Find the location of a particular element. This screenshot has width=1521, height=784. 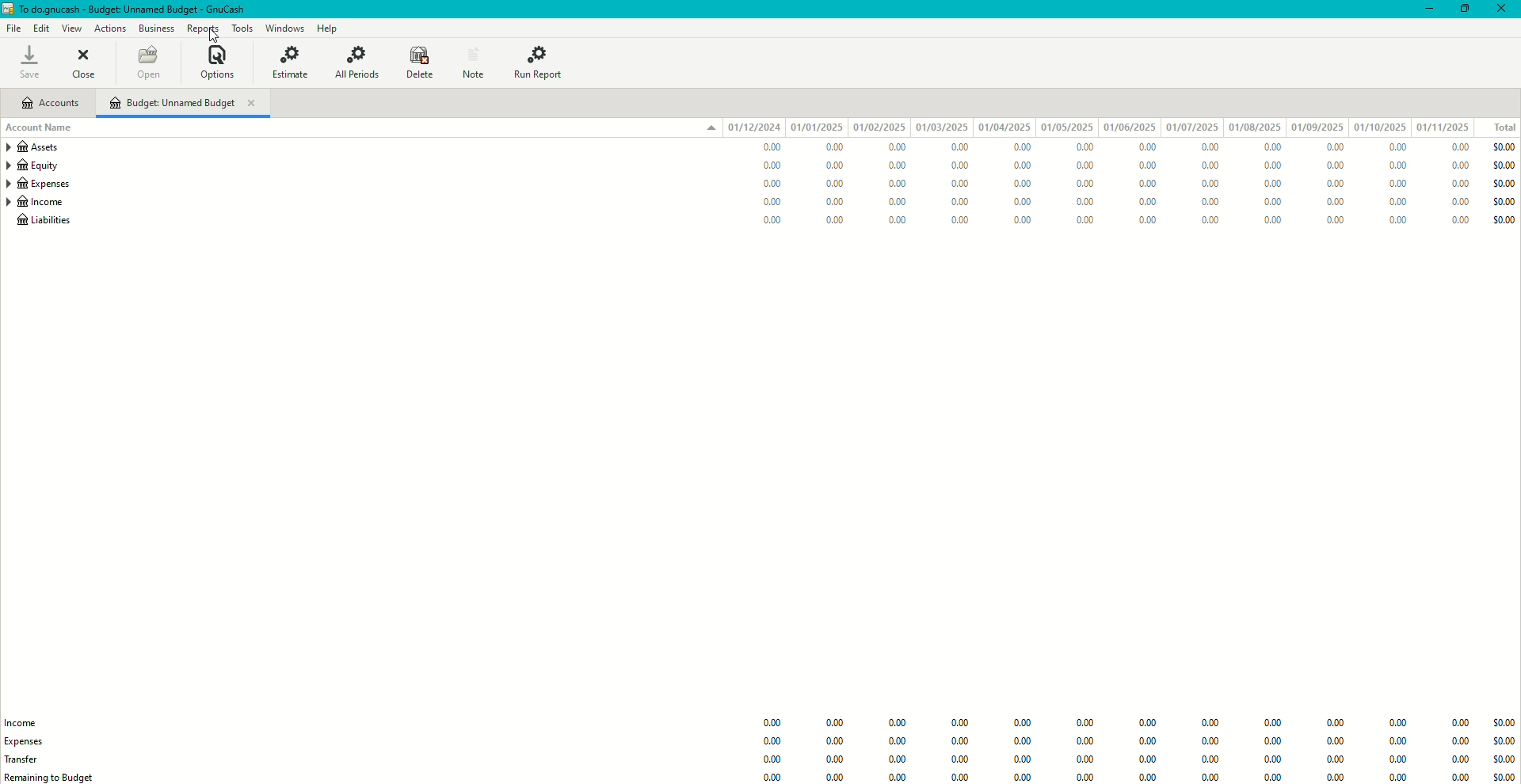

0.00 is located at coordinates (959, 221).